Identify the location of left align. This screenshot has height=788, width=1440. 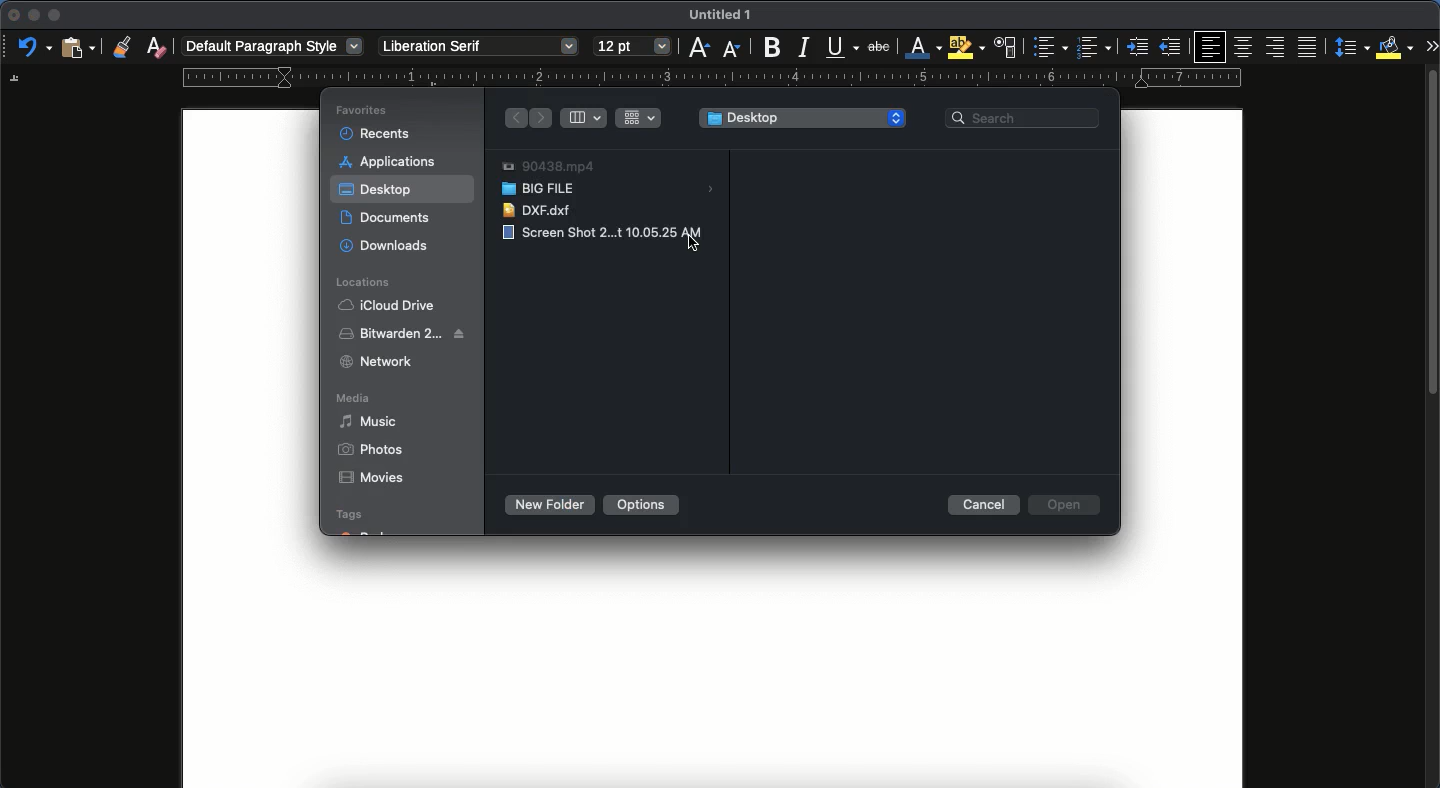
(1212, 46).